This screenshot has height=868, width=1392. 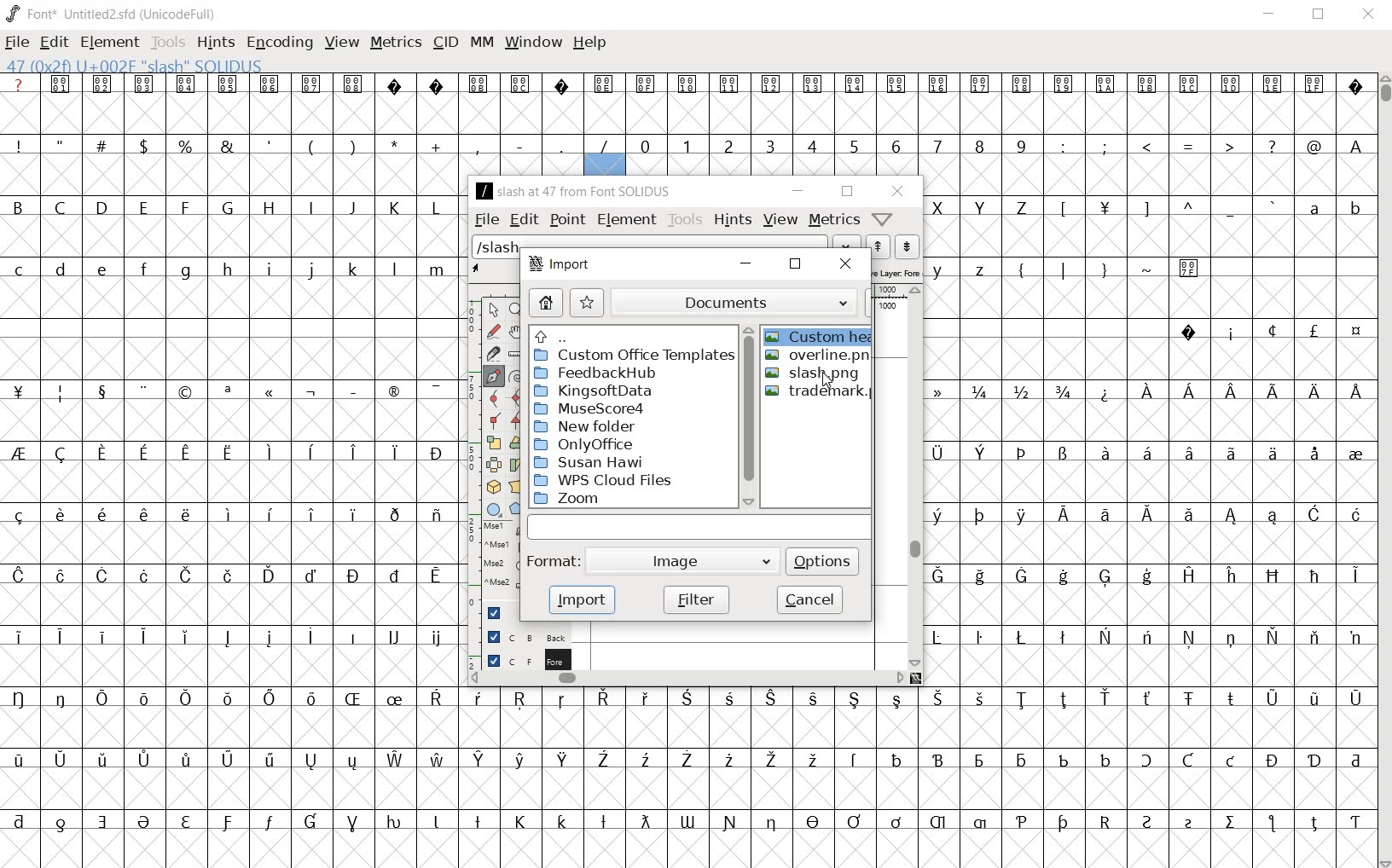 What do you see at coordinates (1367, 14) in the screenshot?
I see `CLOSE` at bounding box center [1367, 14].